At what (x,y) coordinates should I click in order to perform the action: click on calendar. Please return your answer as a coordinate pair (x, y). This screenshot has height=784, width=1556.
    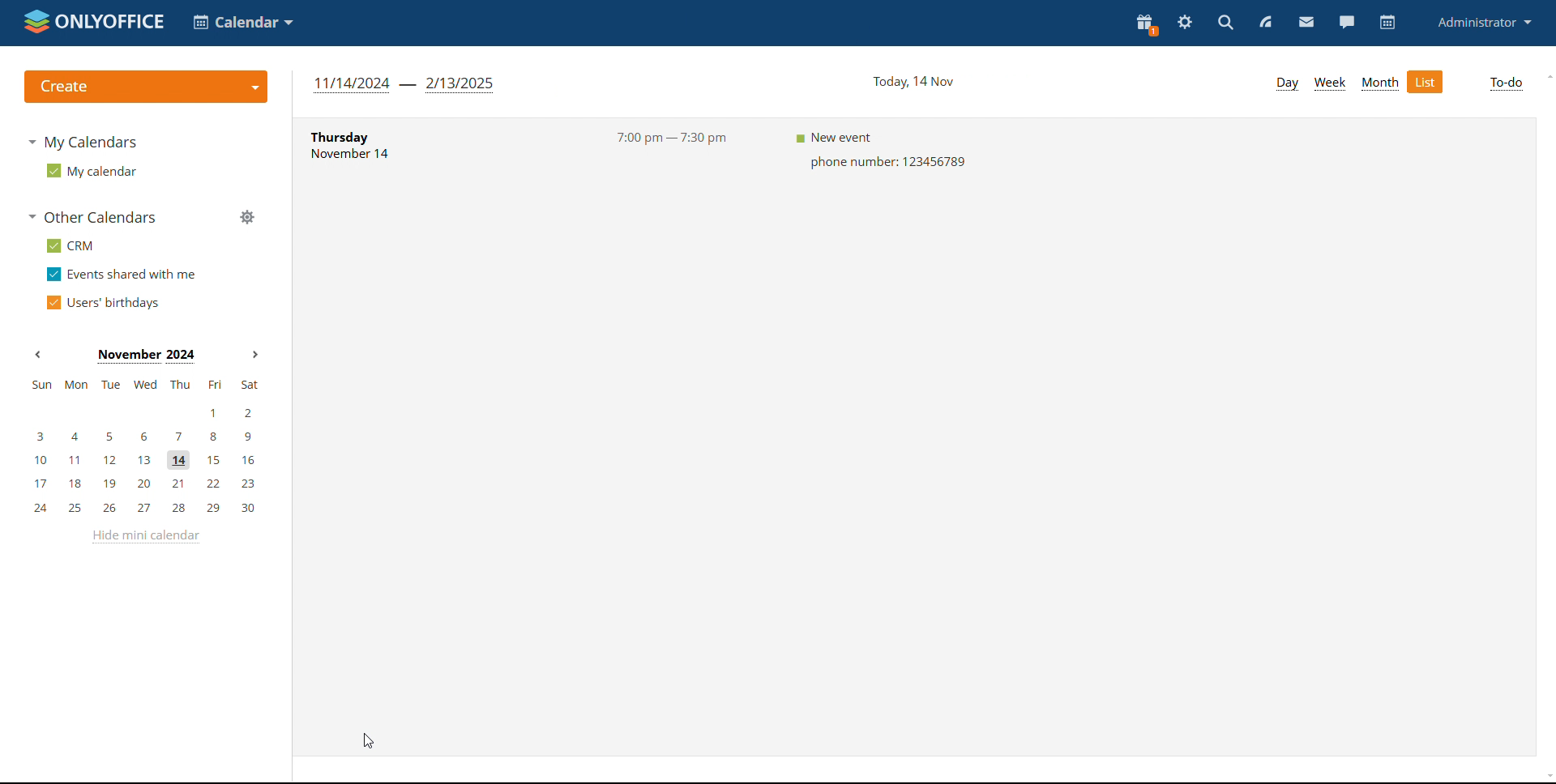
    Looking at the image, I should click on (1387, 23).